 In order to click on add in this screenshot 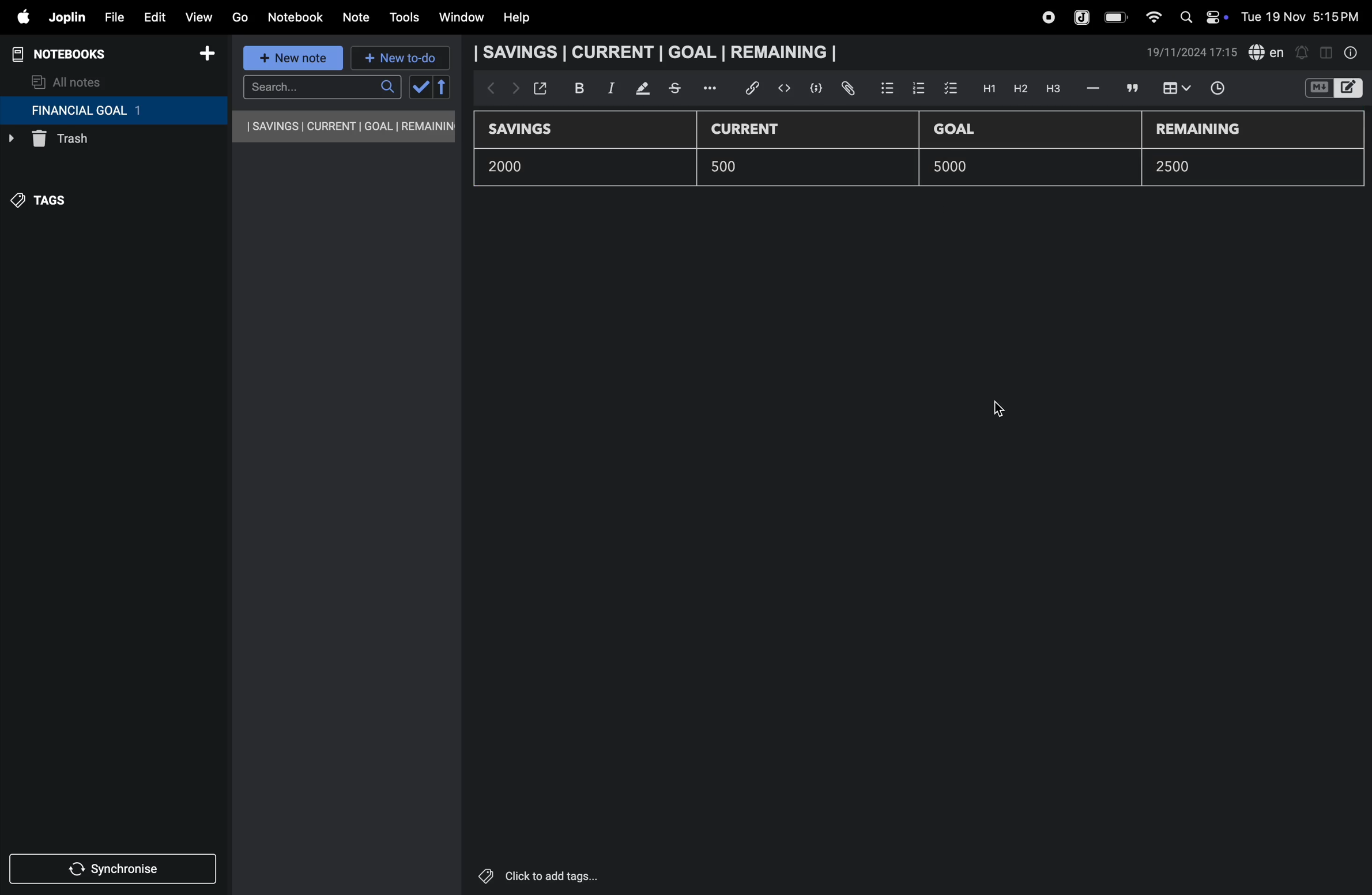, I will do `click(207, 55)`.